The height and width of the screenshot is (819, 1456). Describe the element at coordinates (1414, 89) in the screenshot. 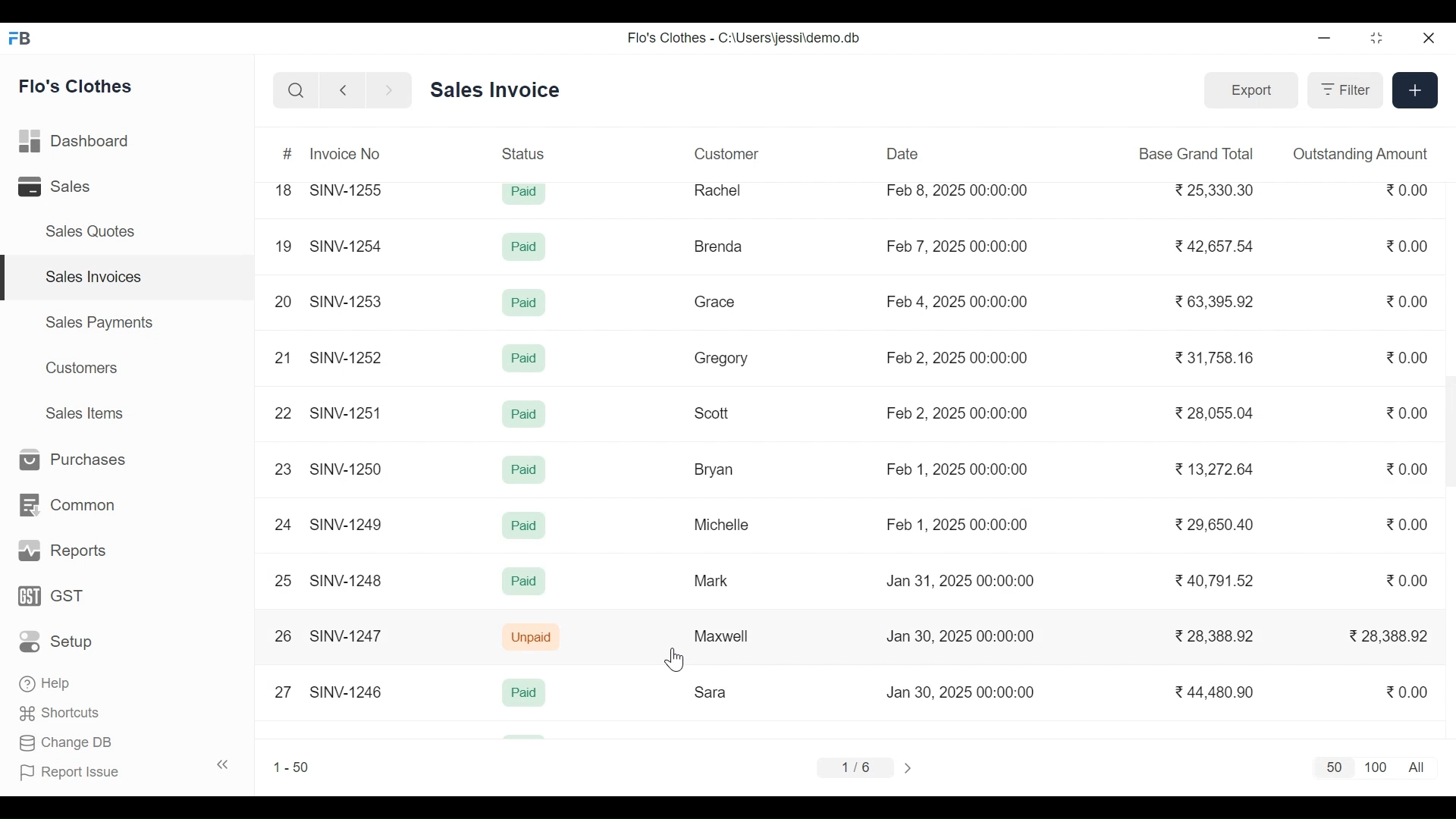

I see `Create` at that location.